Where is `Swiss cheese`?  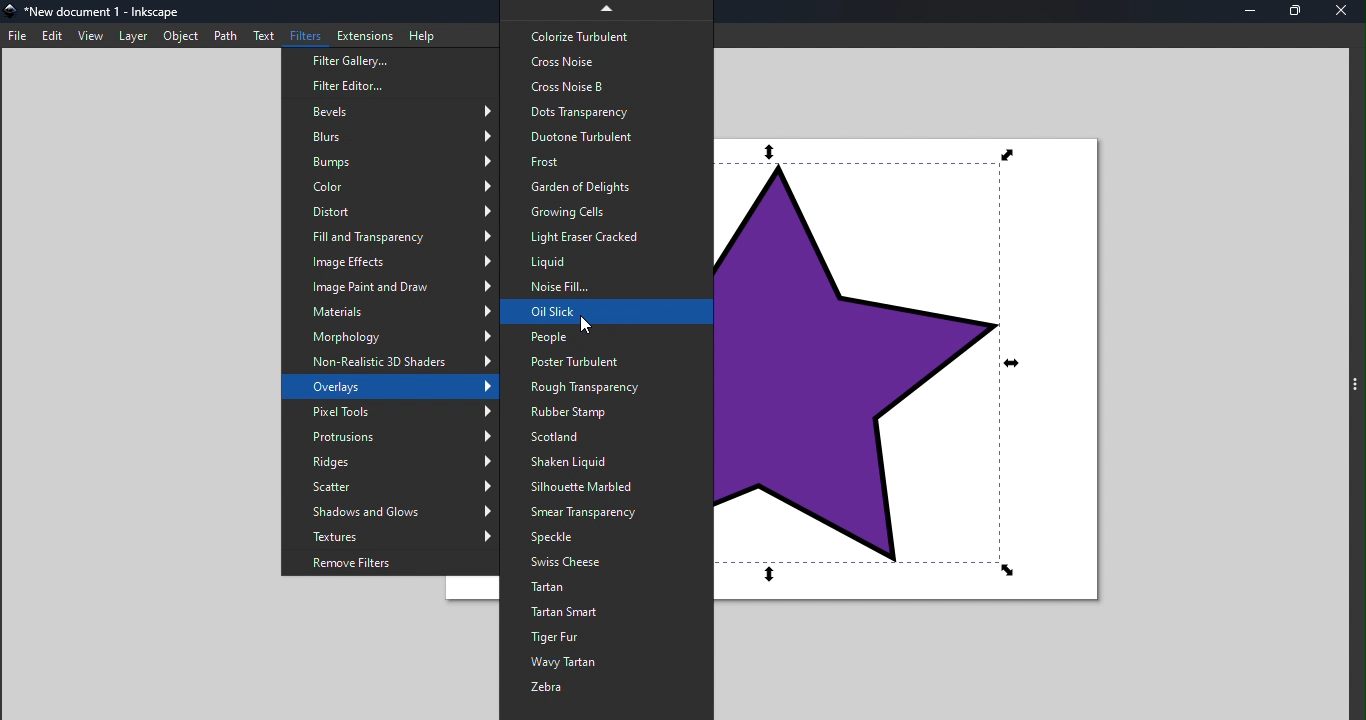 Swiss cheese is located at coordinates (607, 563).